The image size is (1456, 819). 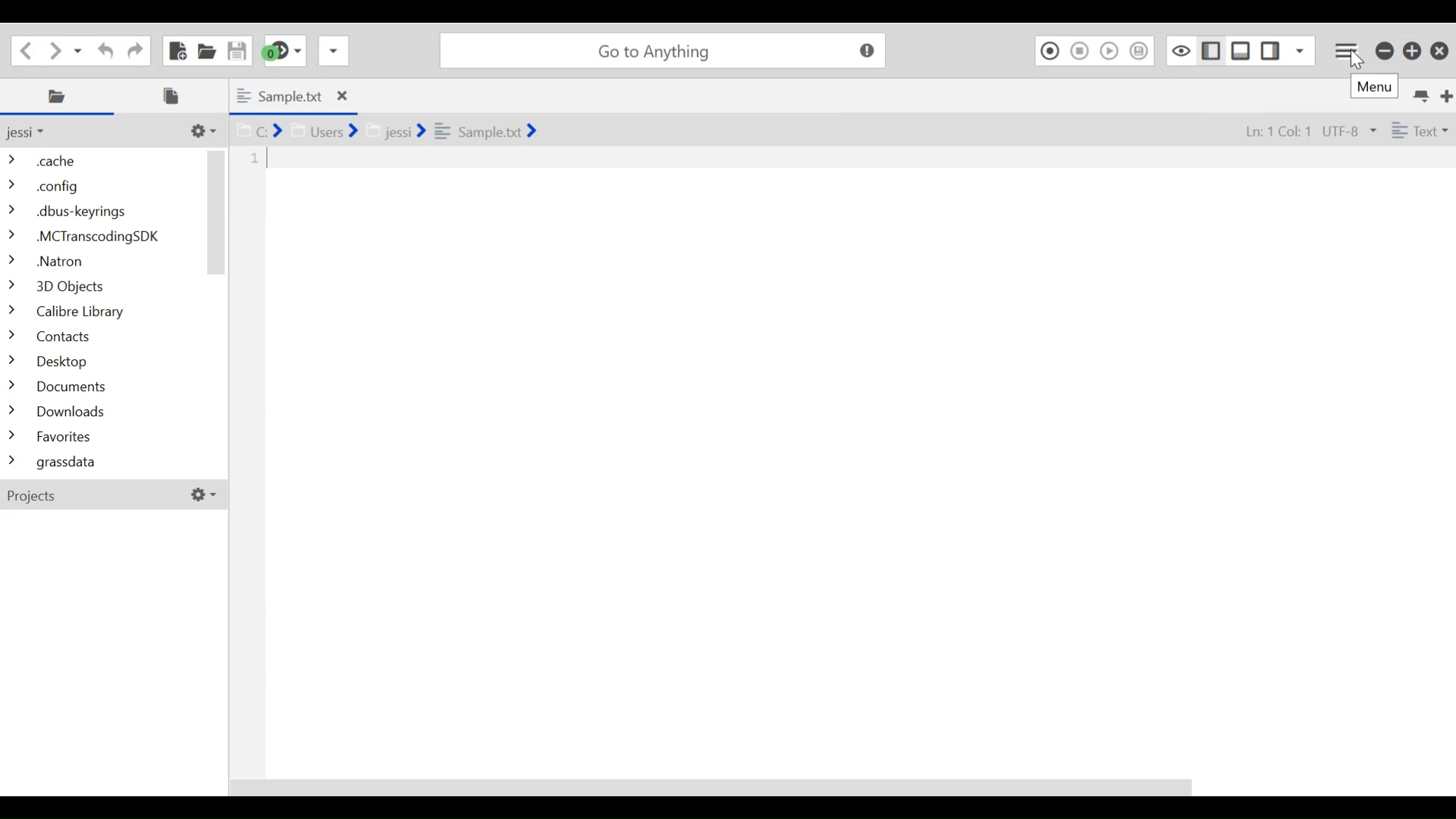 What do you see at coordinates (1419, 94) in the screenshot?
I see `List all tabs` at bounding box center [1419, 94].